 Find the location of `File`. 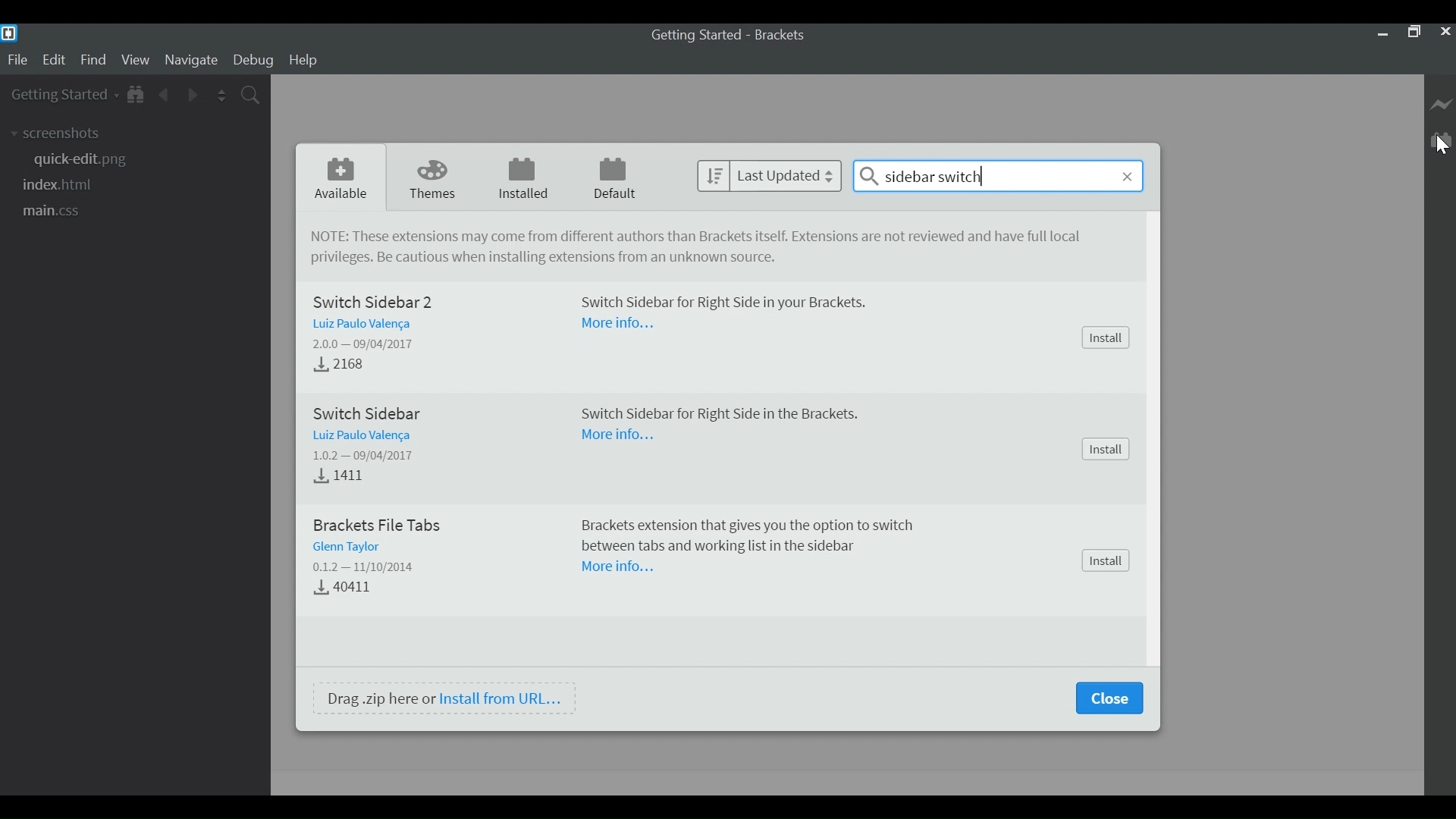

File is located at coordinates (17, 60).